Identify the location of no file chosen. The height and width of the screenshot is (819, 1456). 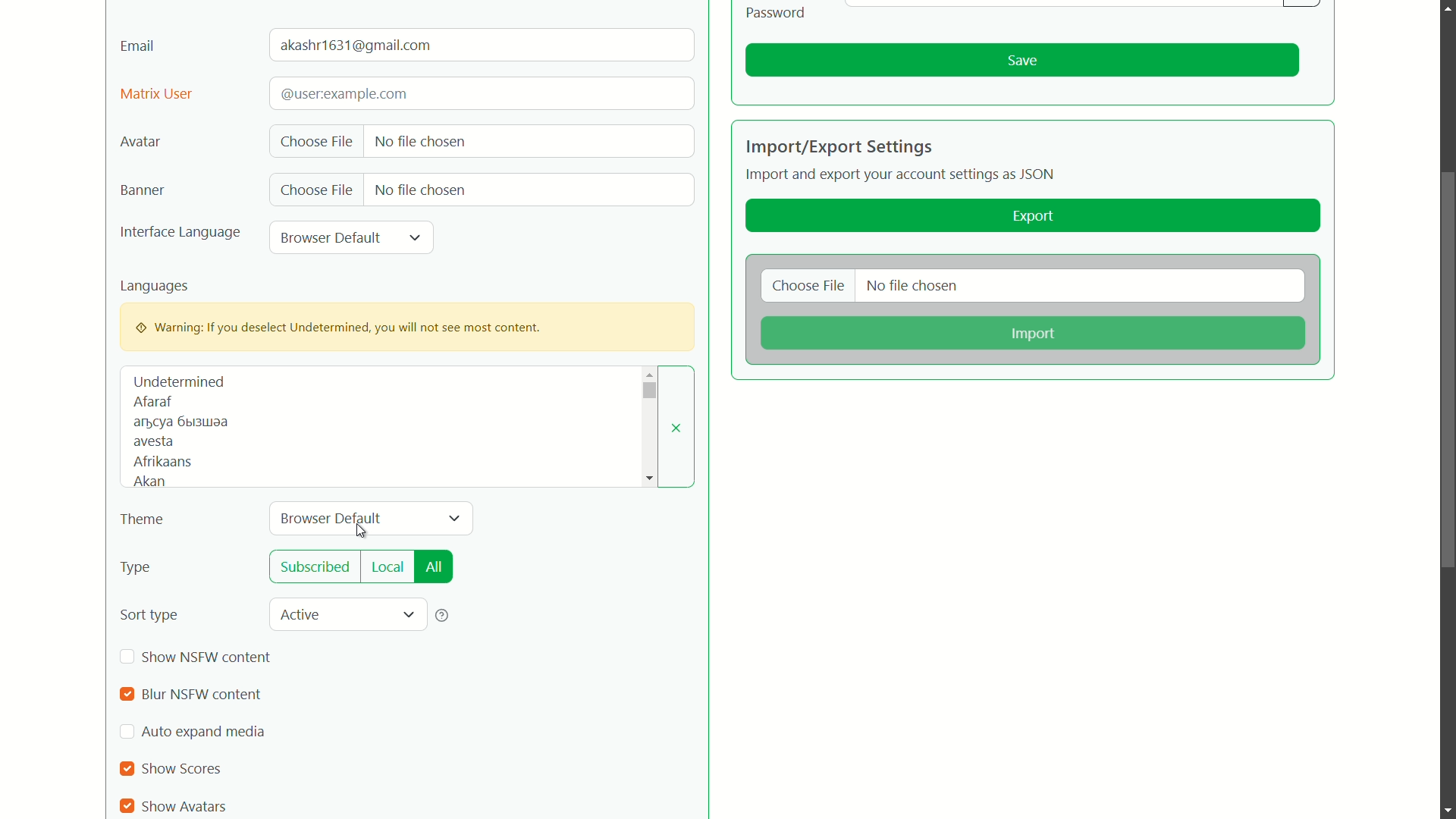
(913, 287).